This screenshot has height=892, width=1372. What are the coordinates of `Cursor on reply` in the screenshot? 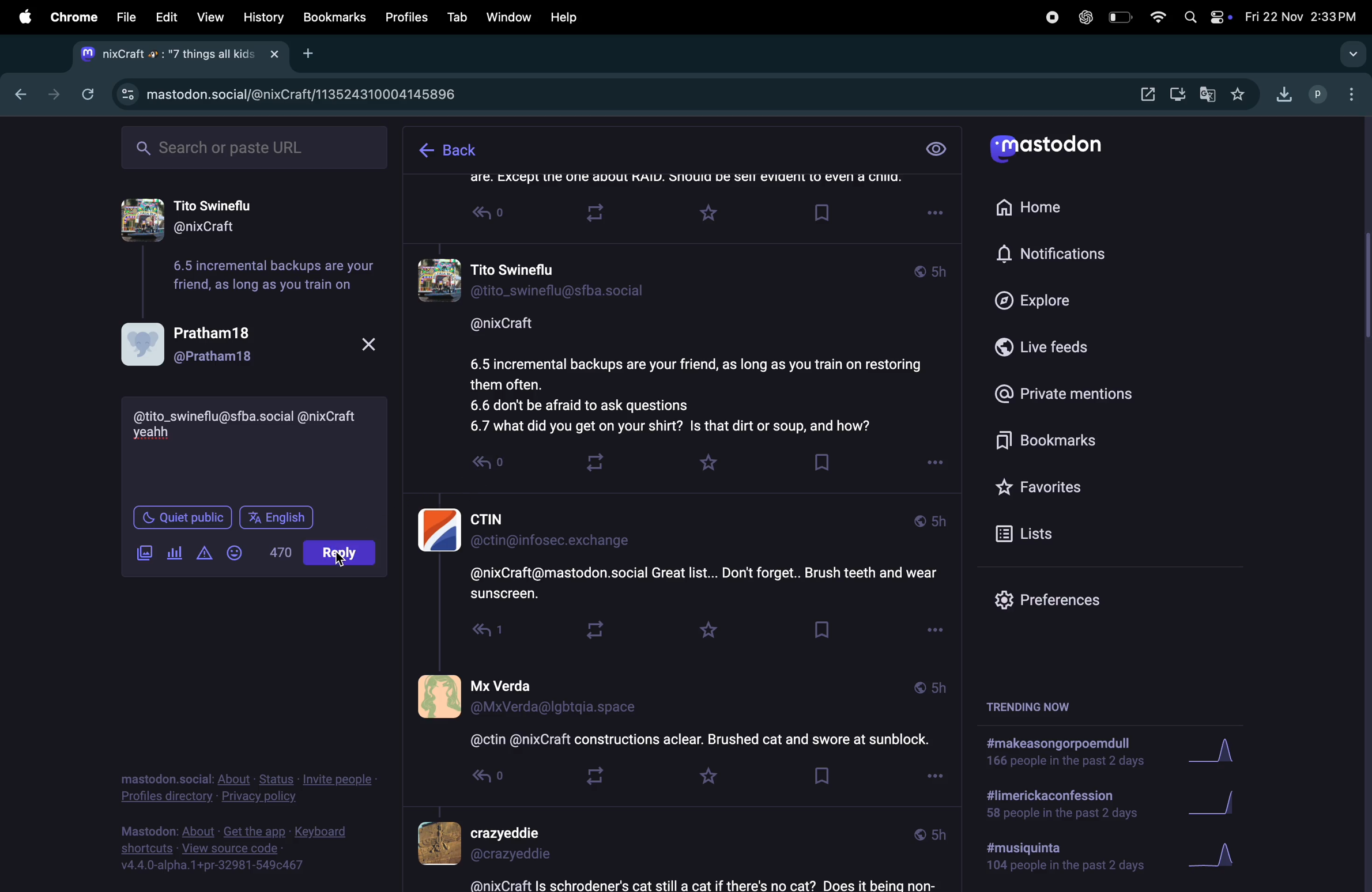 It's located at (345, 554).